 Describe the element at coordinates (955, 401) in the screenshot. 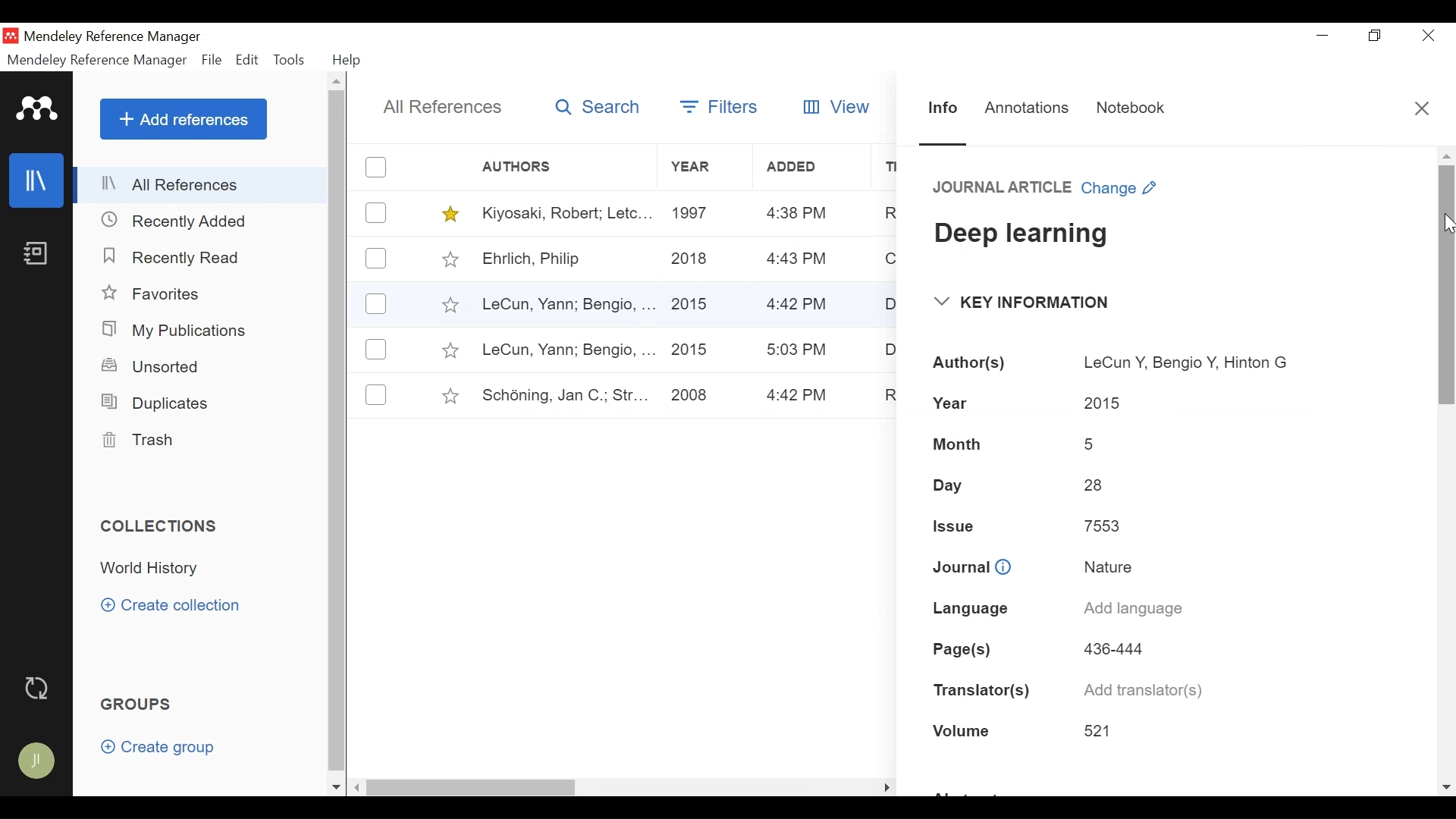

I see `Year` at that location.